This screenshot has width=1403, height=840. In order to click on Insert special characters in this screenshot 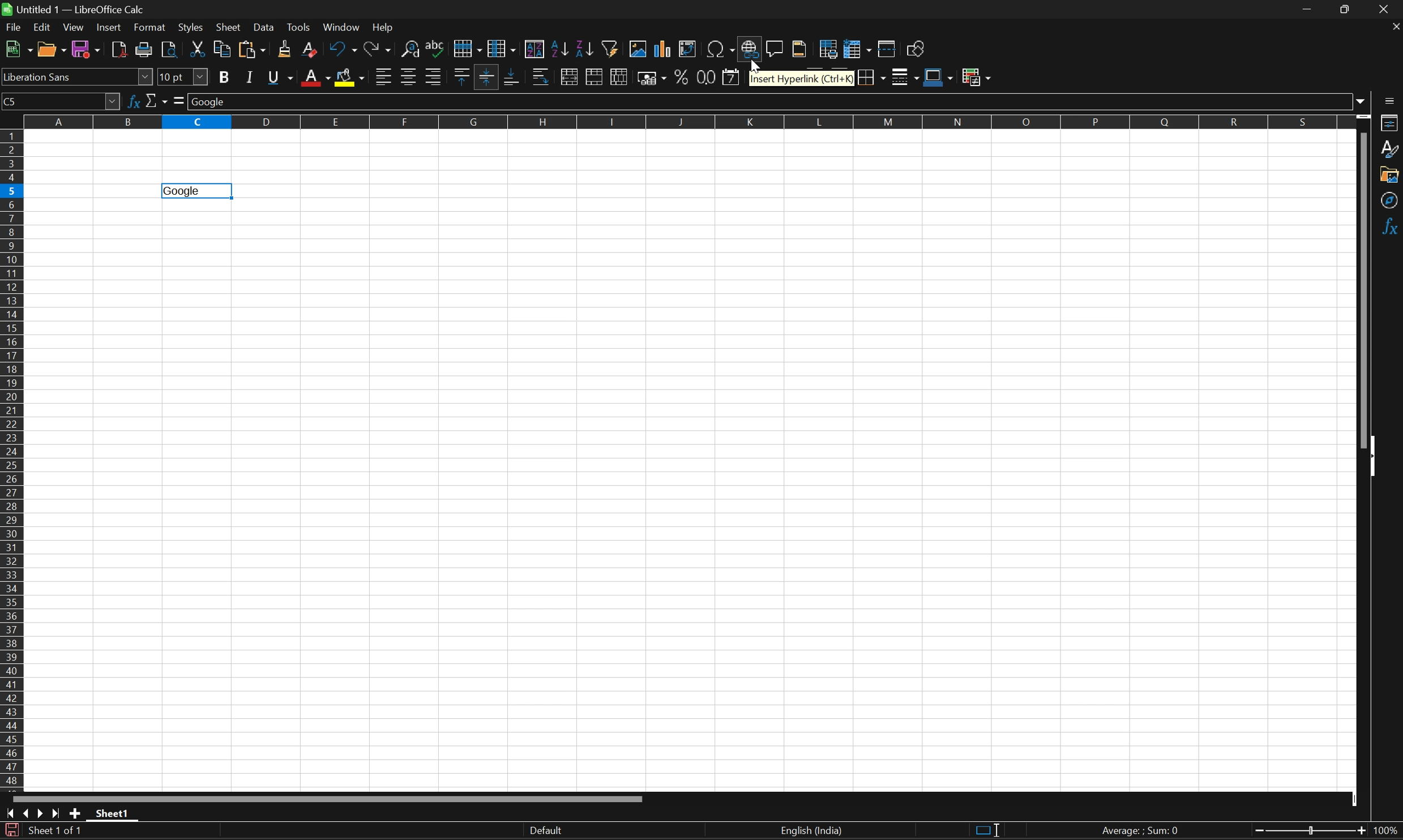, I will do `click(720, 50)`.